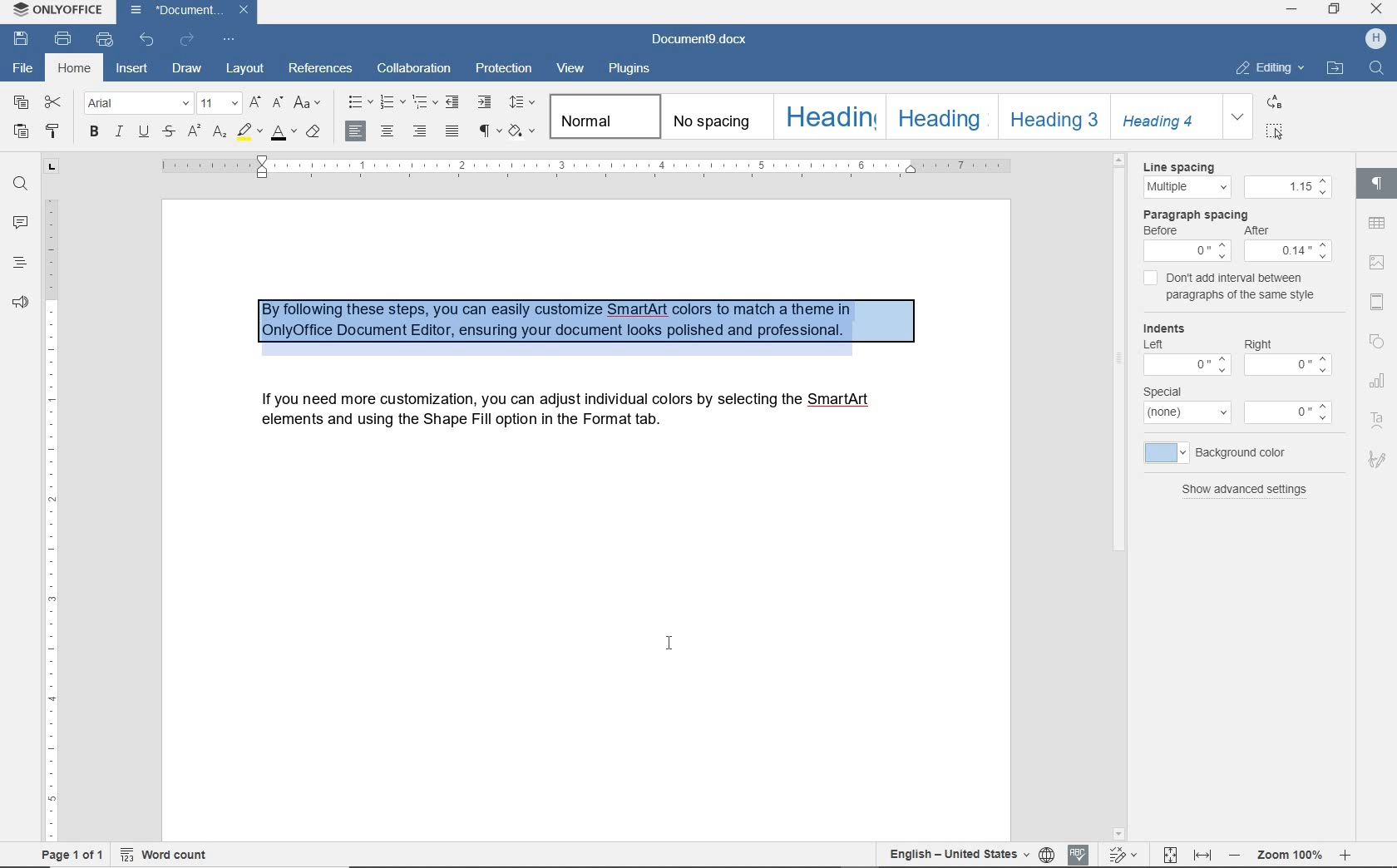 The image size is (1397, 868). What do you see at coordinates (505, 70) in the screenshot?
I see `protection` at bounding box center [505, 70].